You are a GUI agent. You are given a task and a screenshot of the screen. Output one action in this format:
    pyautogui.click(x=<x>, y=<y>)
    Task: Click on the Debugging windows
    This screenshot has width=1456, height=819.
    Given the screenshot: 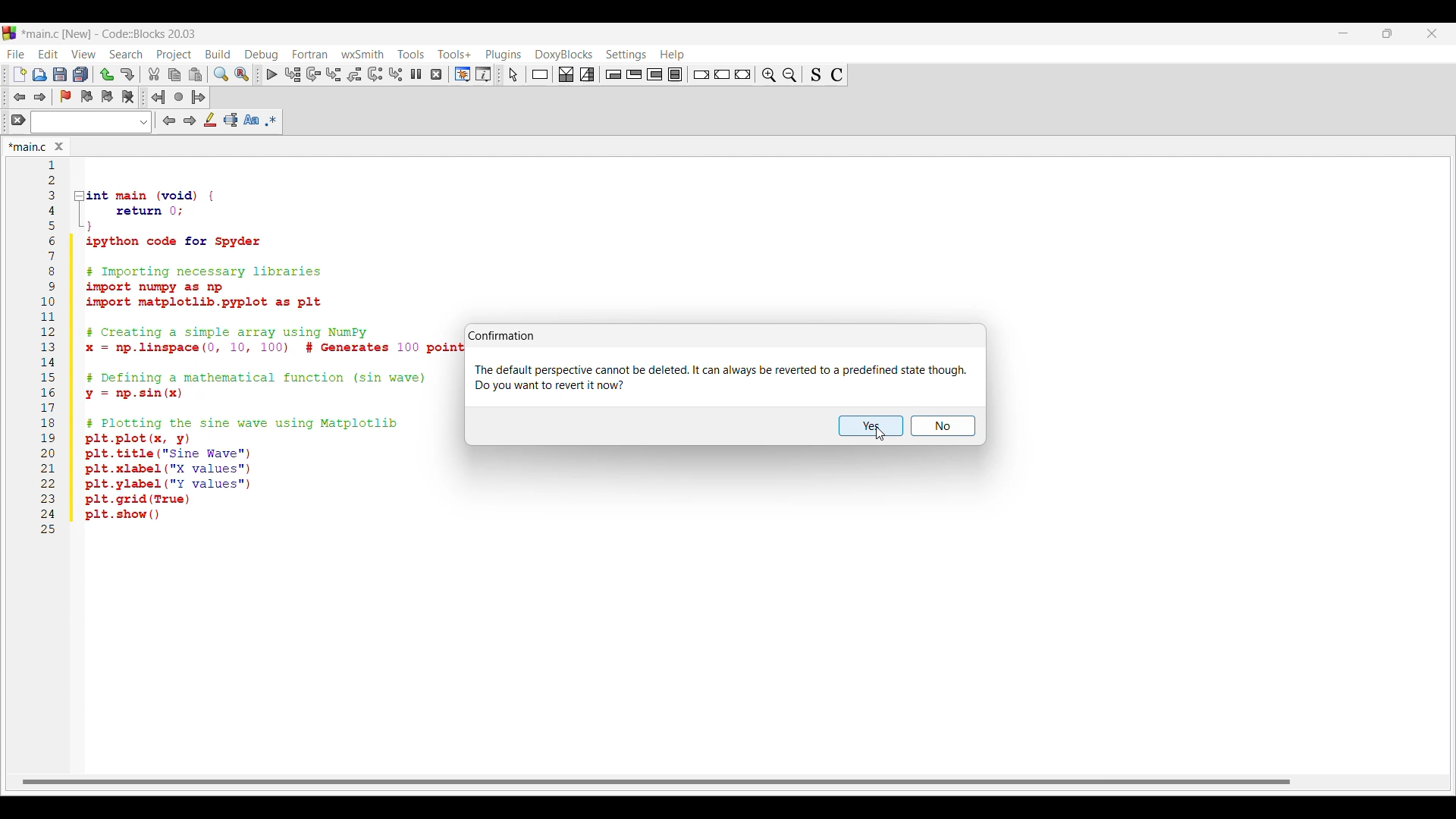 What is the action you would take?
    pyautogui.click(x=463, y=74)
    